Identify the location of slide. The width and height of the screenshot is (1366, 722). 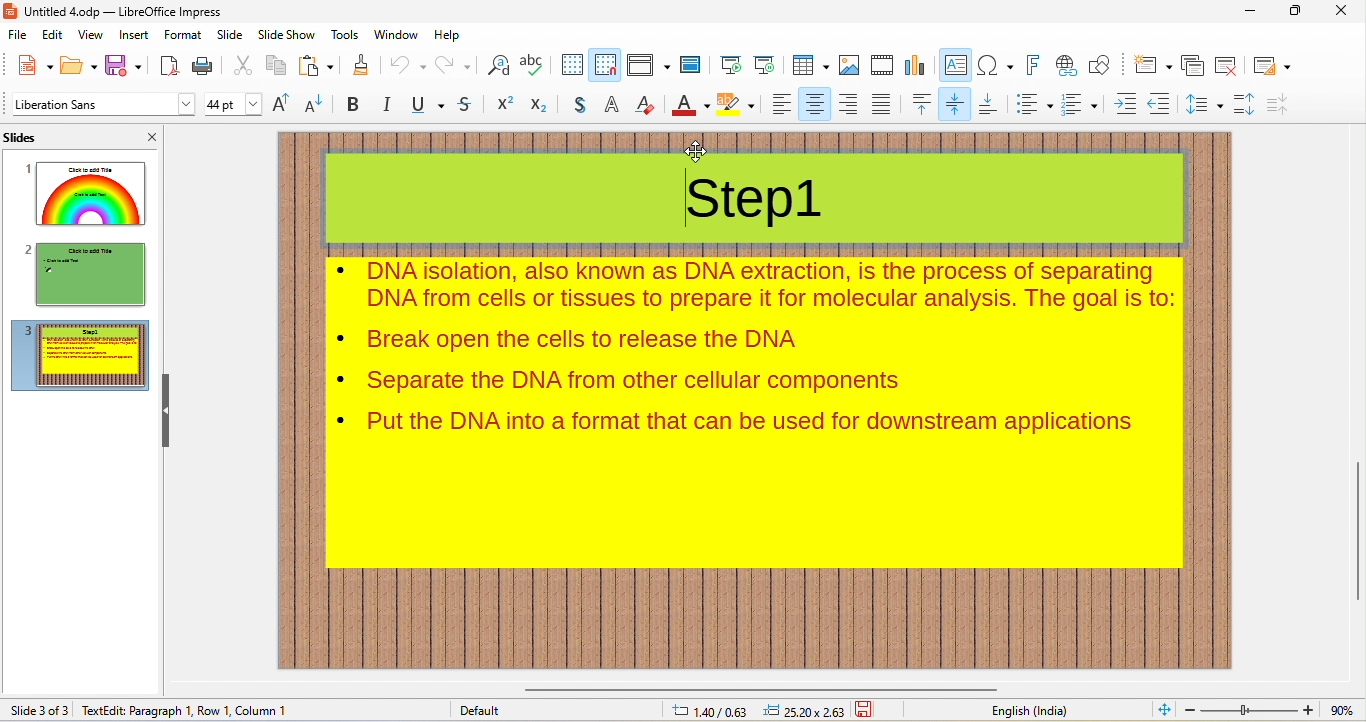
(230, 36).